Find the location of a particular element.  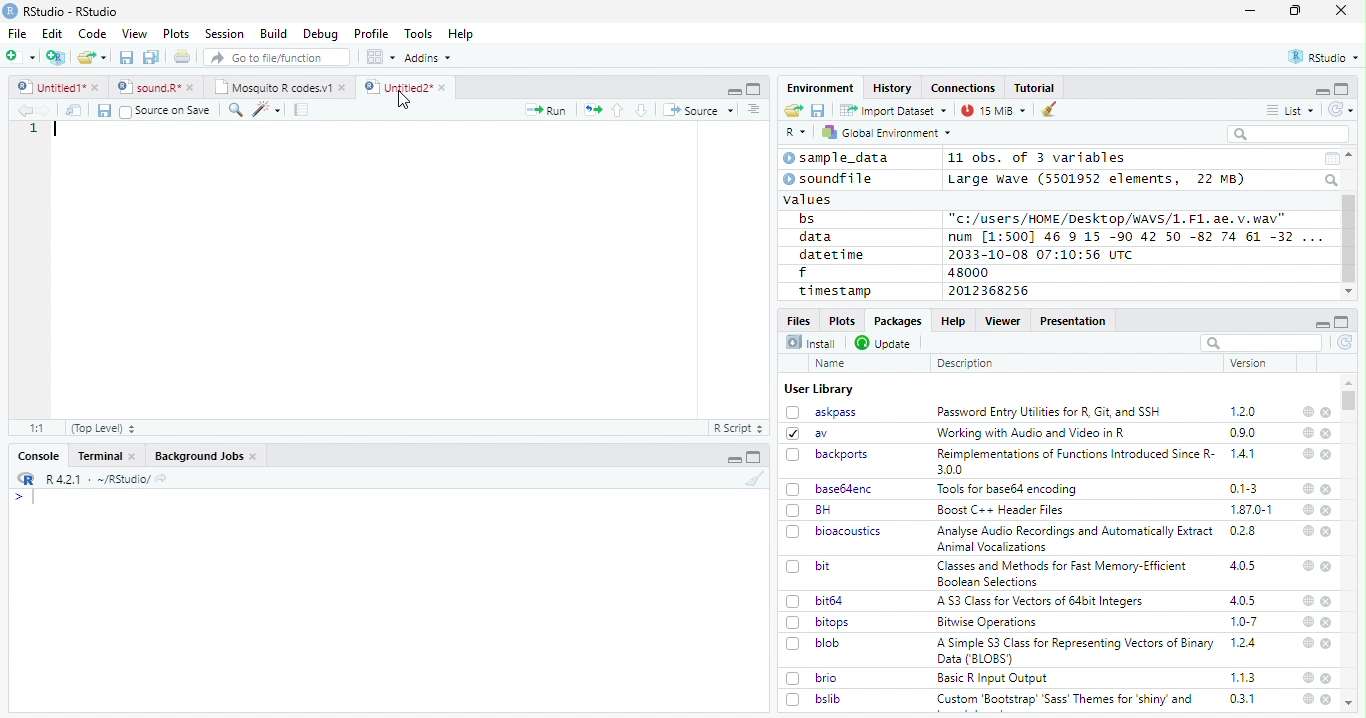

close is located at coordinates (1327, 623).